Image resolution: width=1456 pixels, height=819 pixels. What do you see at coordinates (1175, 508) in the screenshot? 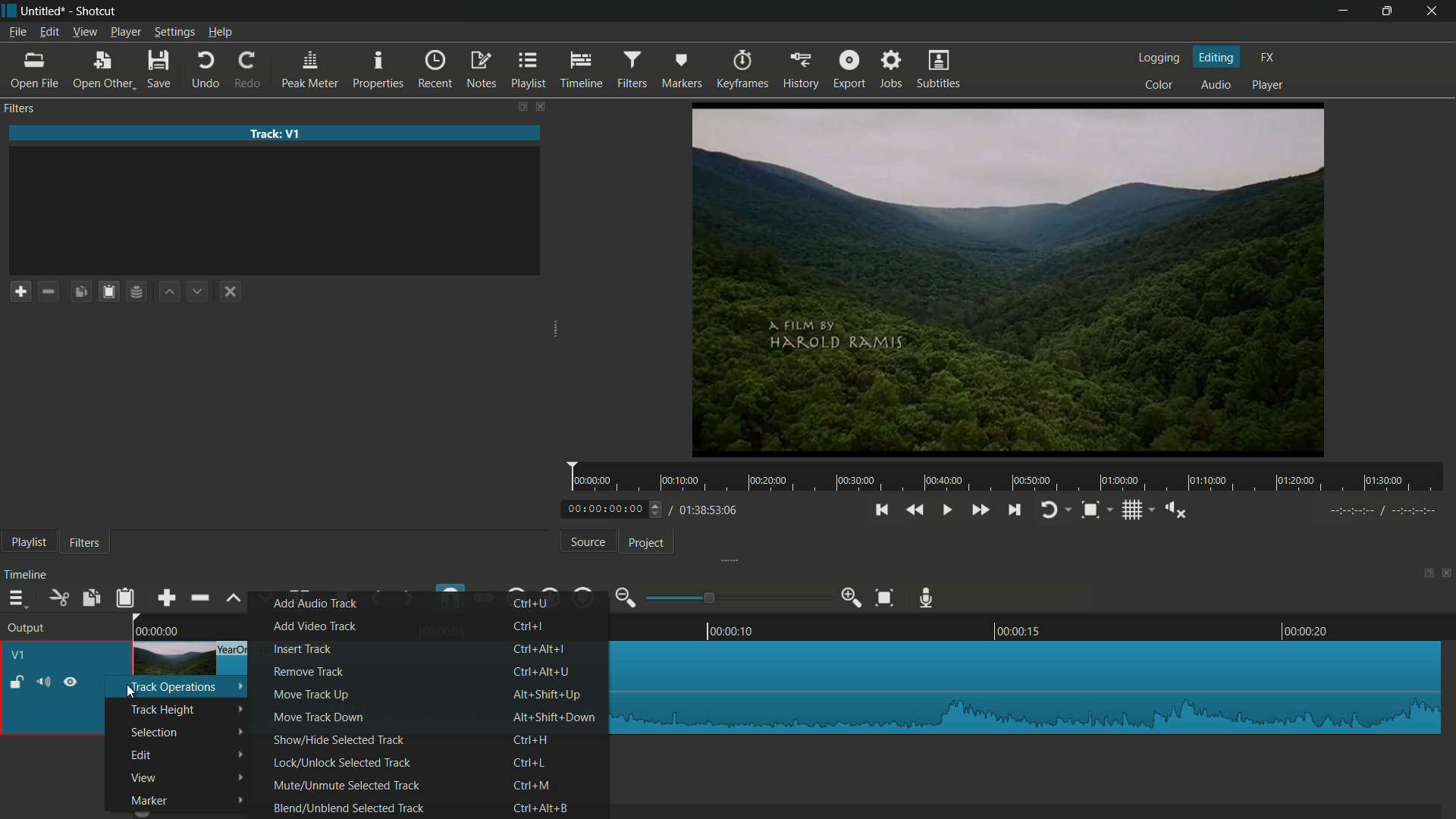
I see `show volume control` at bounding box center [1175, 508].